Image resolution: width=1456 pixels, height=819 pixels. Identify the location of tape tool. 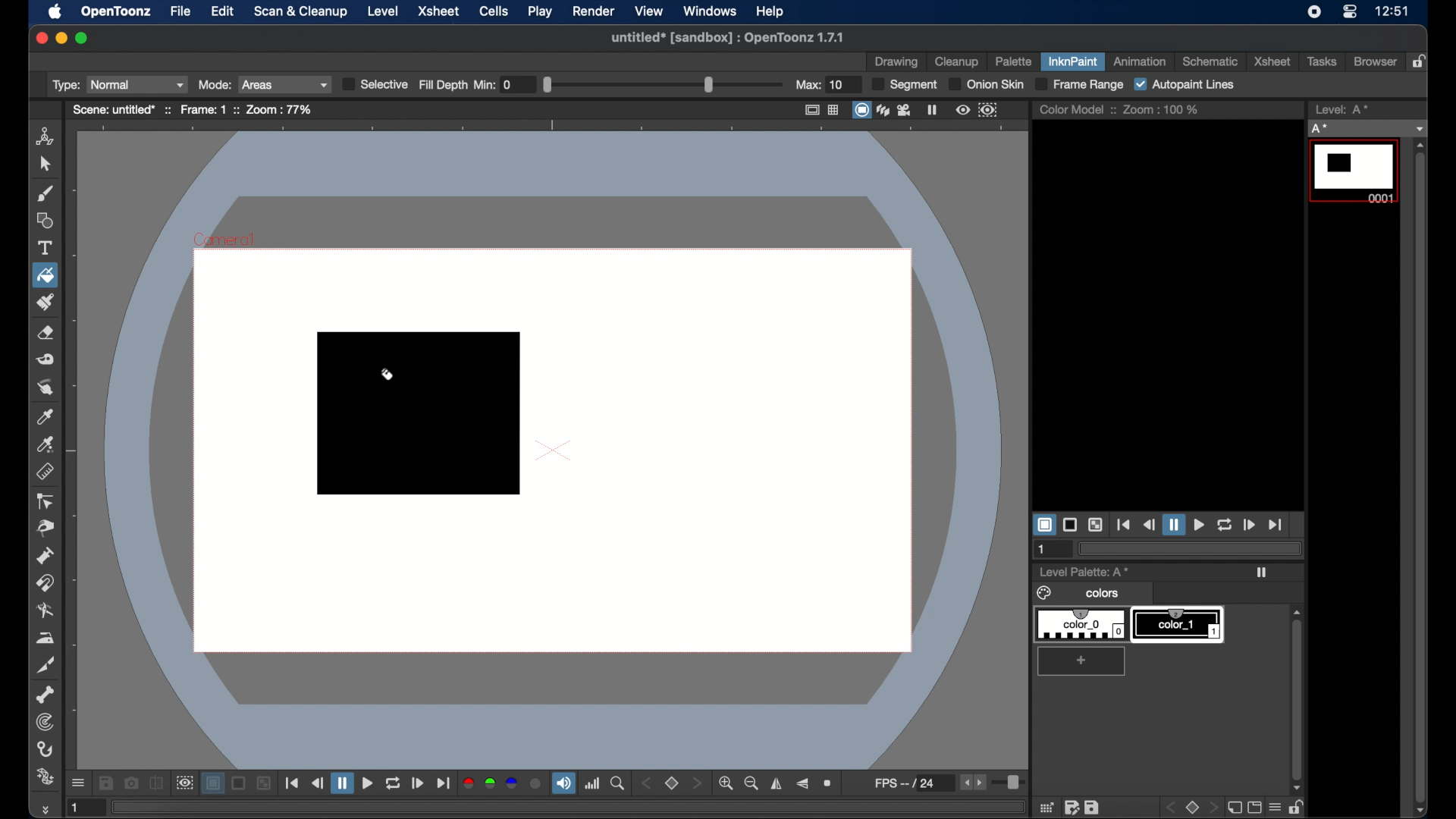
(45, 359).